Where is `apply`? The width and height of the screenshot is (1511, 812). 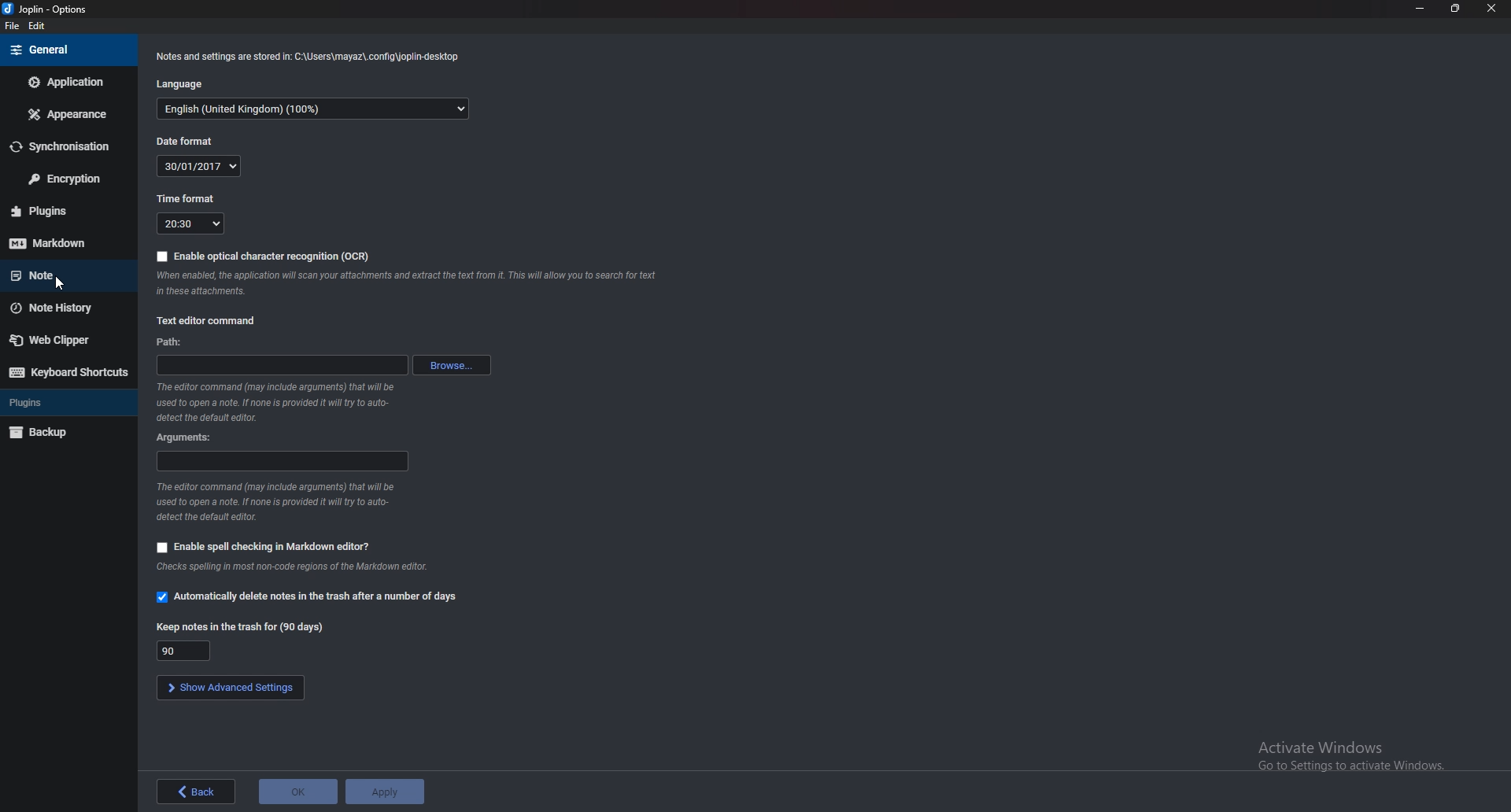 apply is located at coordinates (388, 792).